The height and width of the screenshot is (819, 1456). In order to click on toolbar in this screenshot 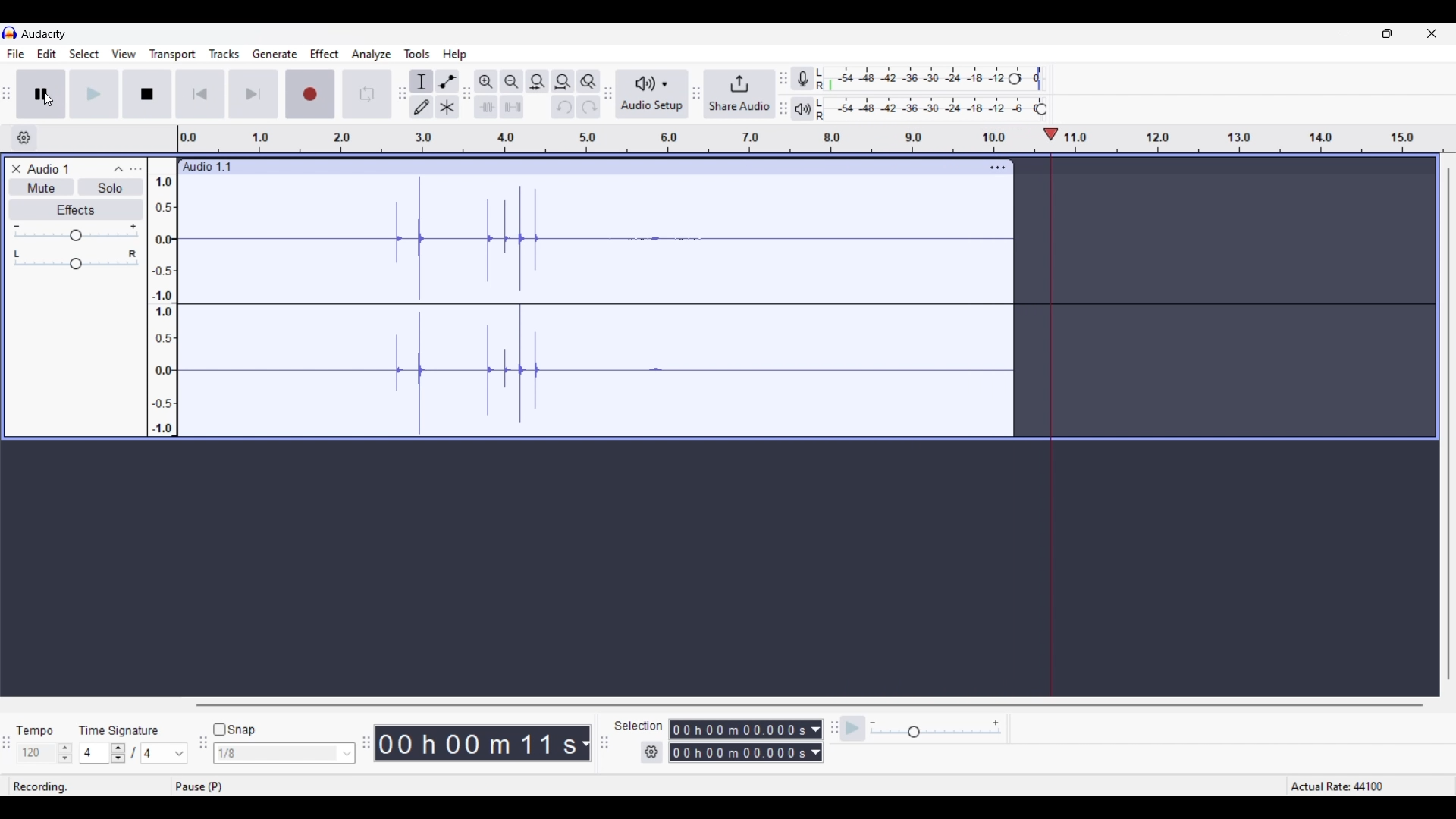, I will do `click(607, 96)`.